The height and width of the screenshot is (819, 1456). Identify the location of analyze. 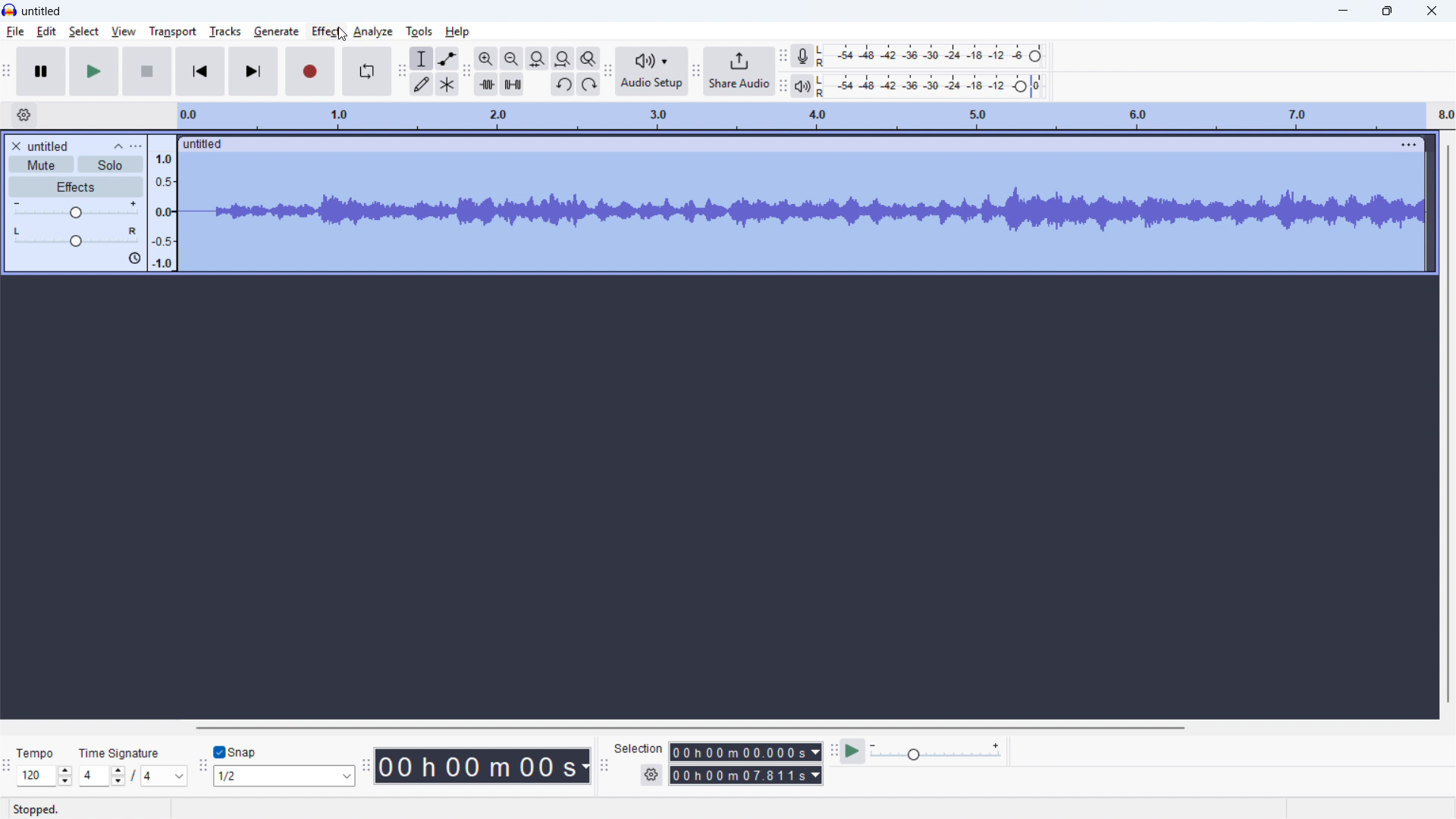
(372, 30).